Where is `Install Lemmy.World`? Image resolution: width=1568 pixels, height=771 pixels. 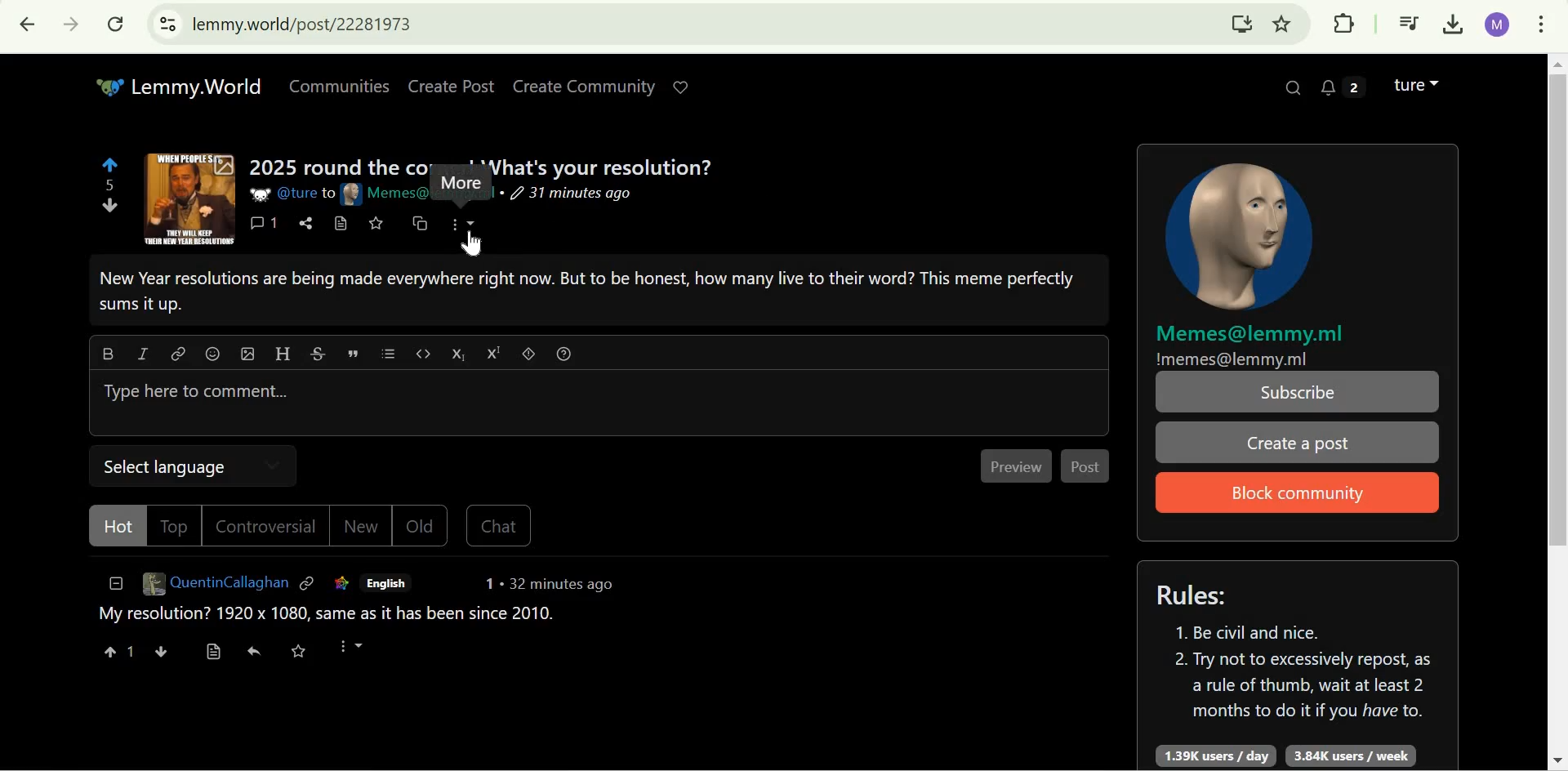 Install Lemmy.World is located at coordinates (1243, 23).